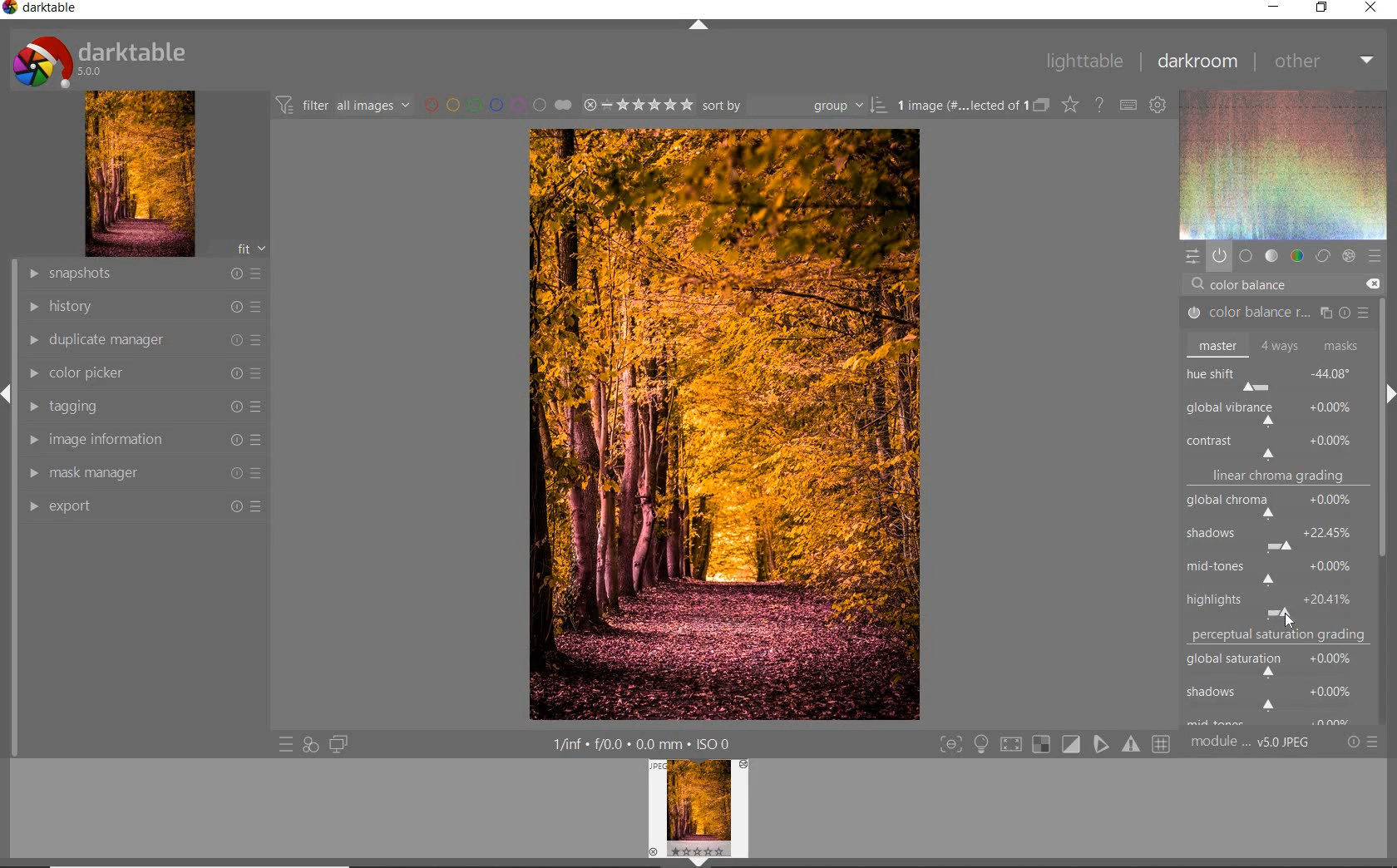 This screenshot has width=1397, height=868. I want to click on history, so click(144, 305).